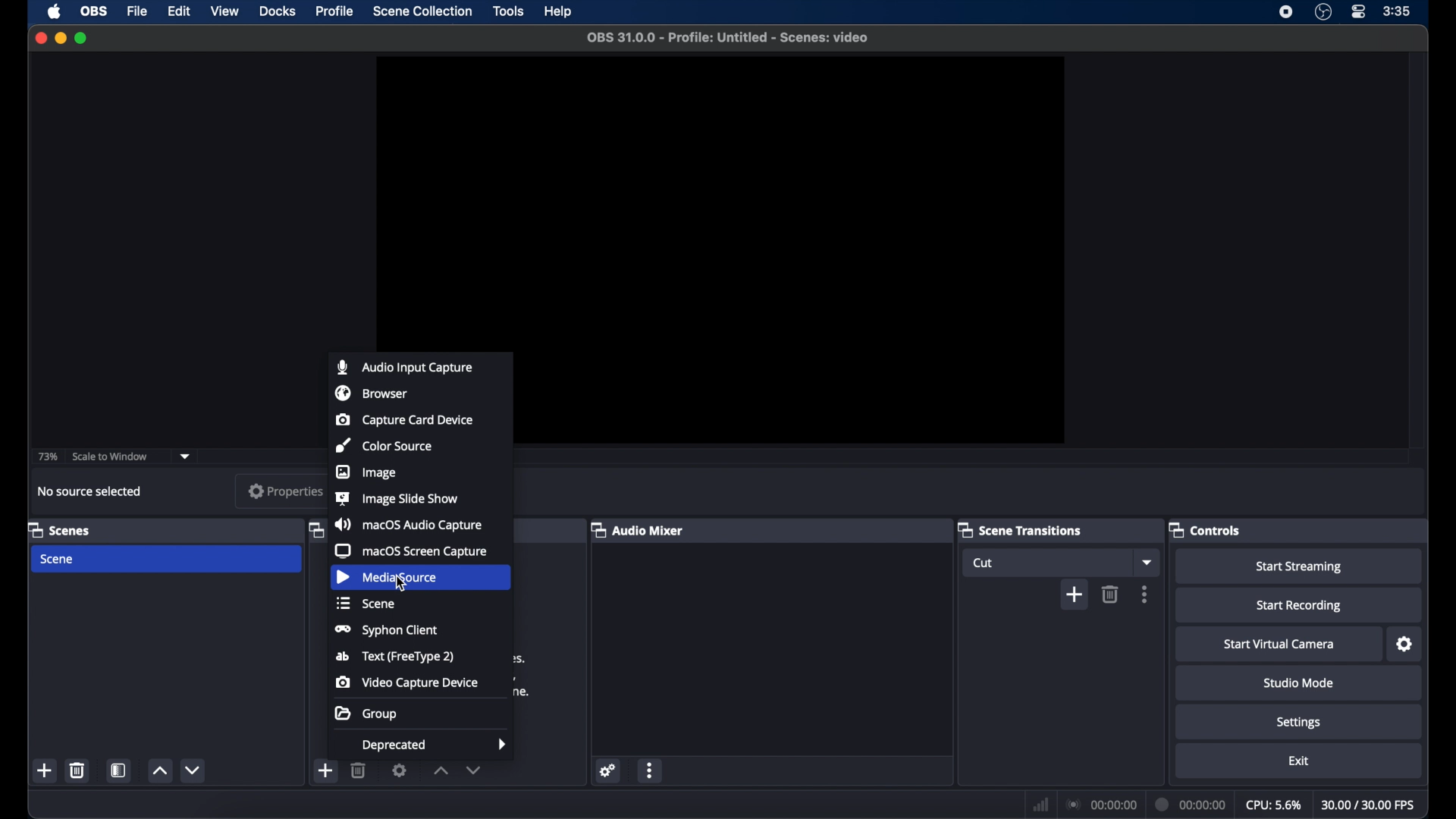 Image resolution: width=1456 pixels, height=819 pixels. I want to click on help, so click(560, 11).